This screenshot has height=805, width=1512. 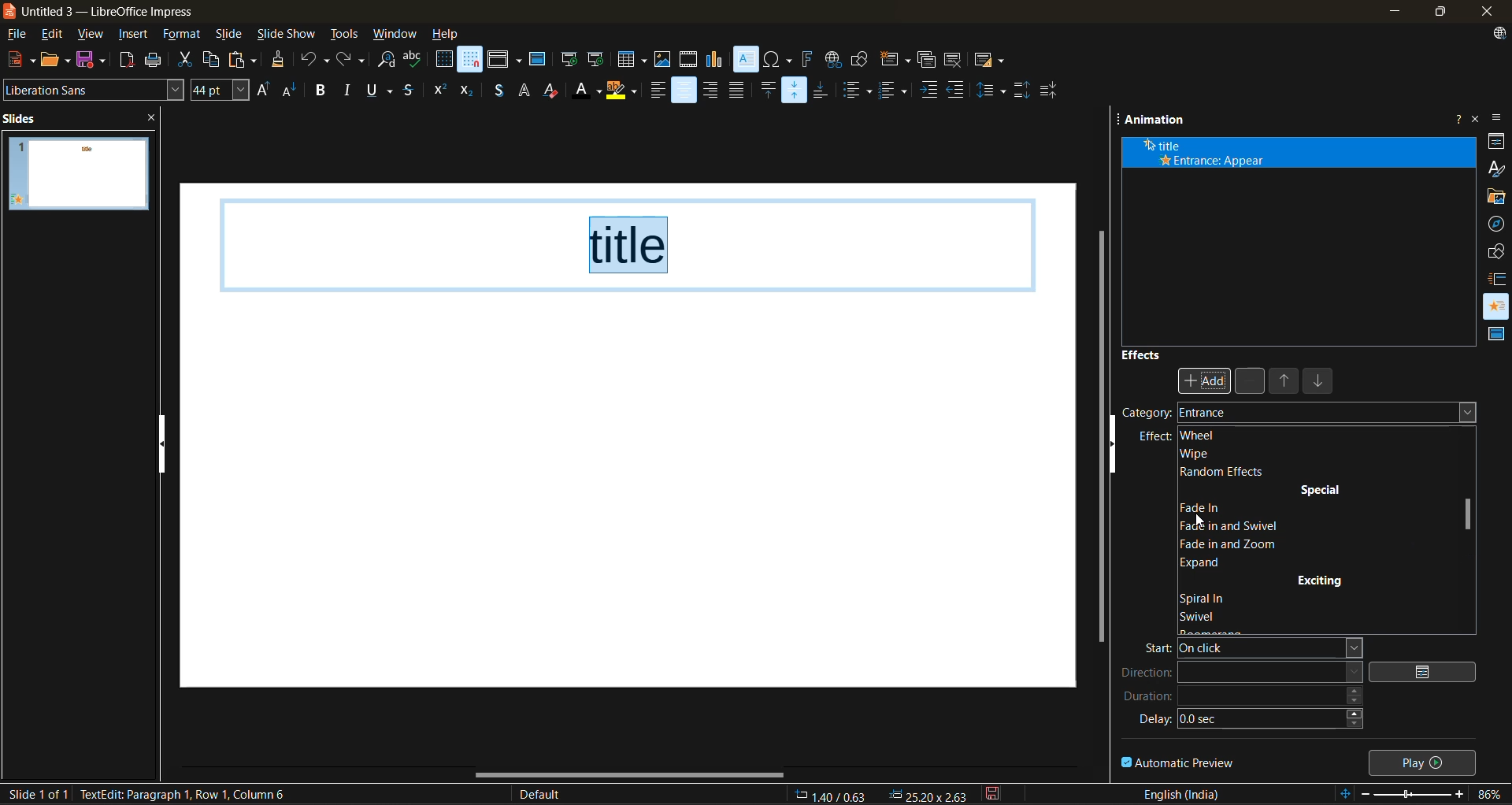 I want to click on toggle shadow, so click(x=498, y=92).